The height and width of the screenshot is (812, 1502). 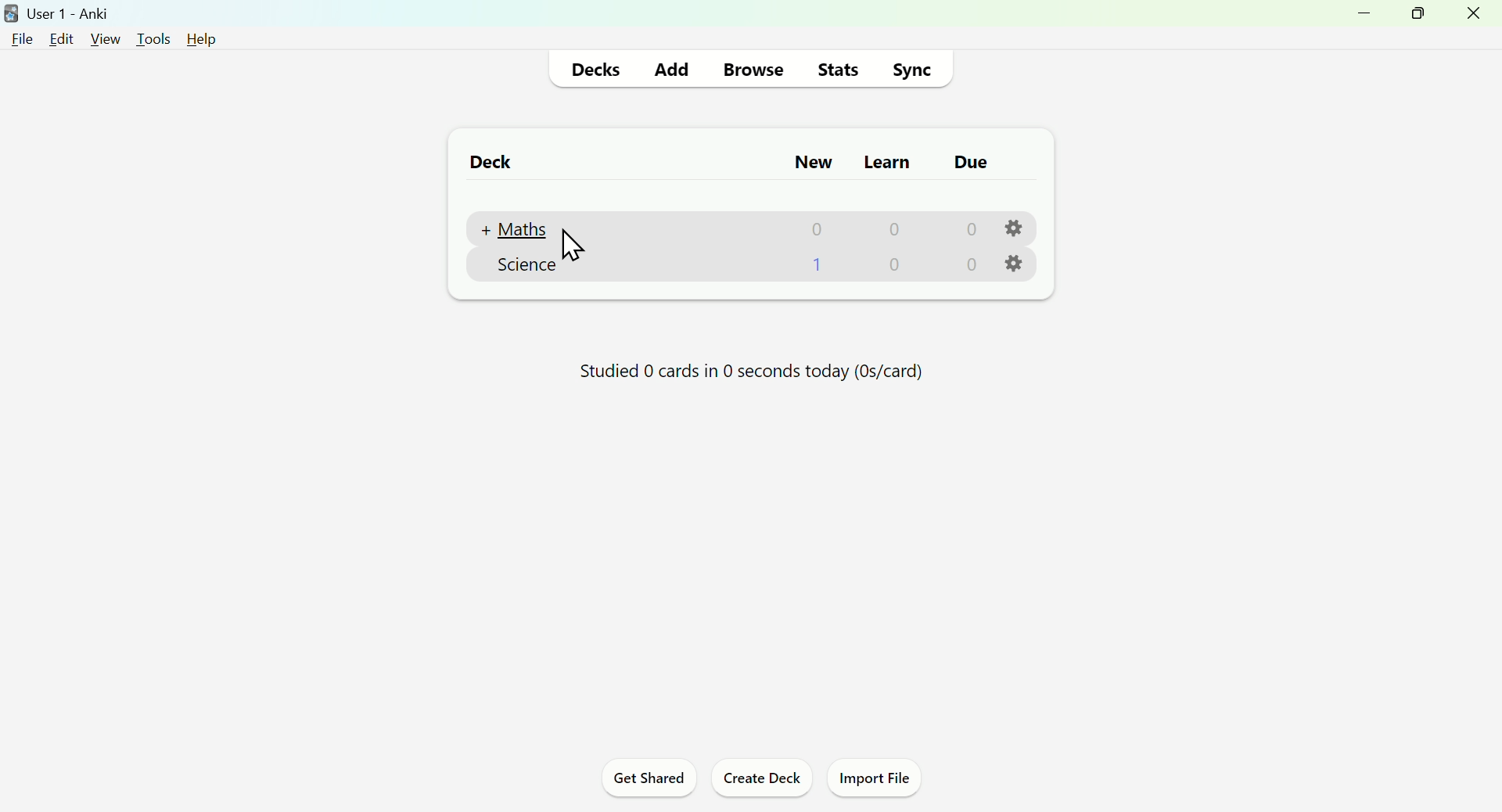 What do you see at coordinates (873, 780) in the screenshot?
I see `Import File` at bounding box center [873, 780].